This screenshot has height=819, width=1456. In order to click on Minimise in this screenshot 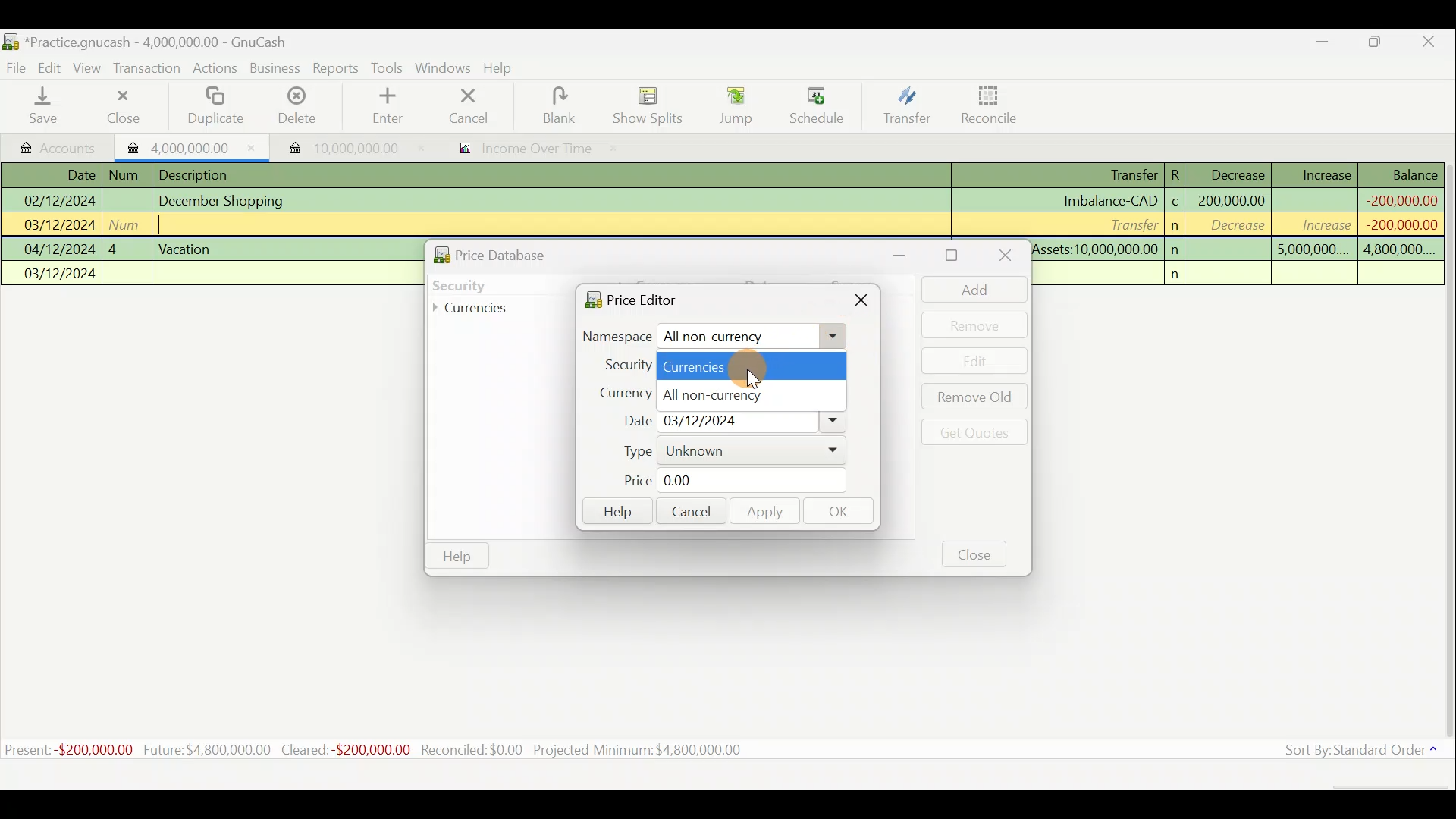, I will do `click(1325, 45)`.